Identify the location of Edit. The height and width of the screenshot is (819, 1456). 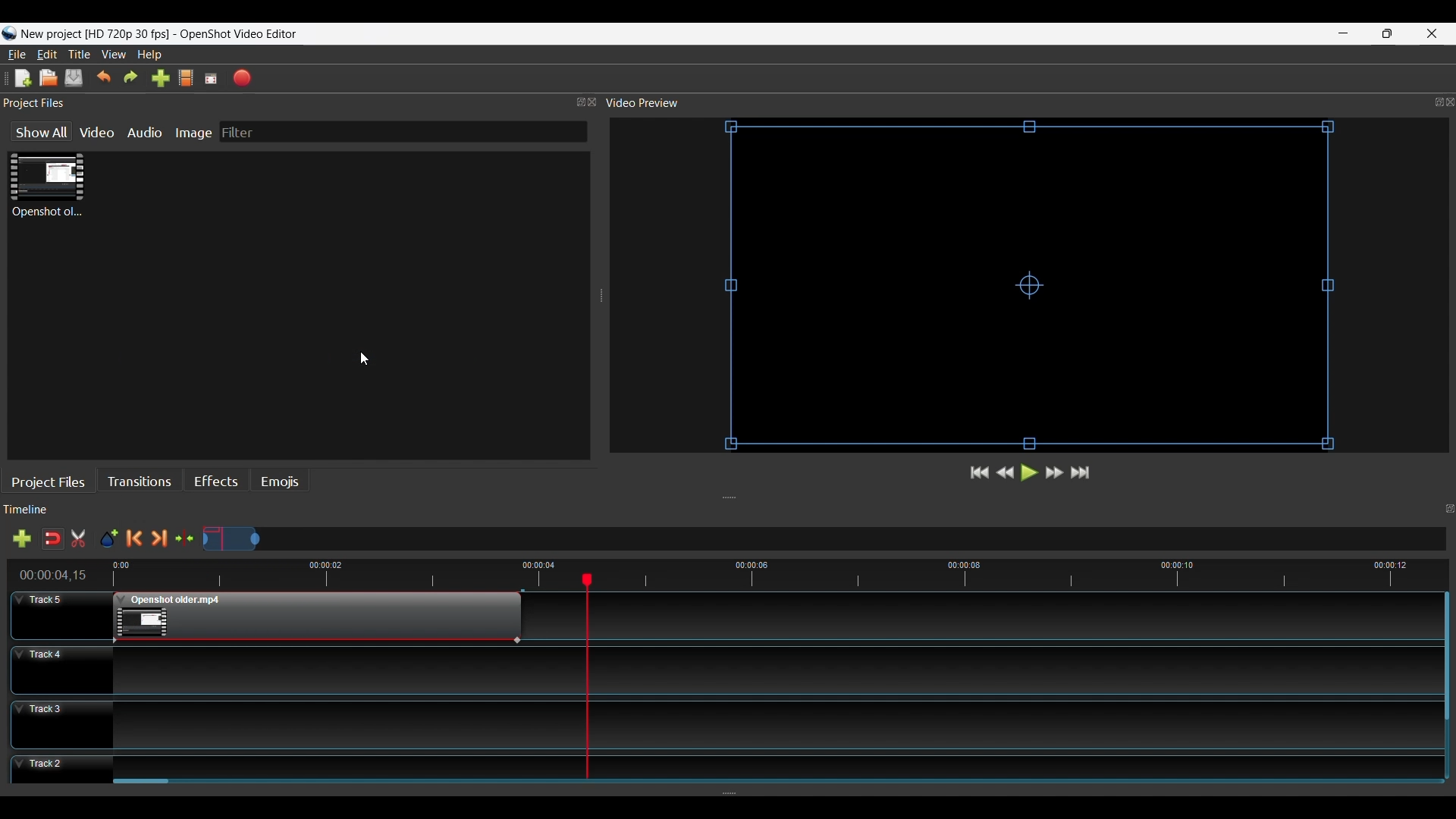
(49, 55).